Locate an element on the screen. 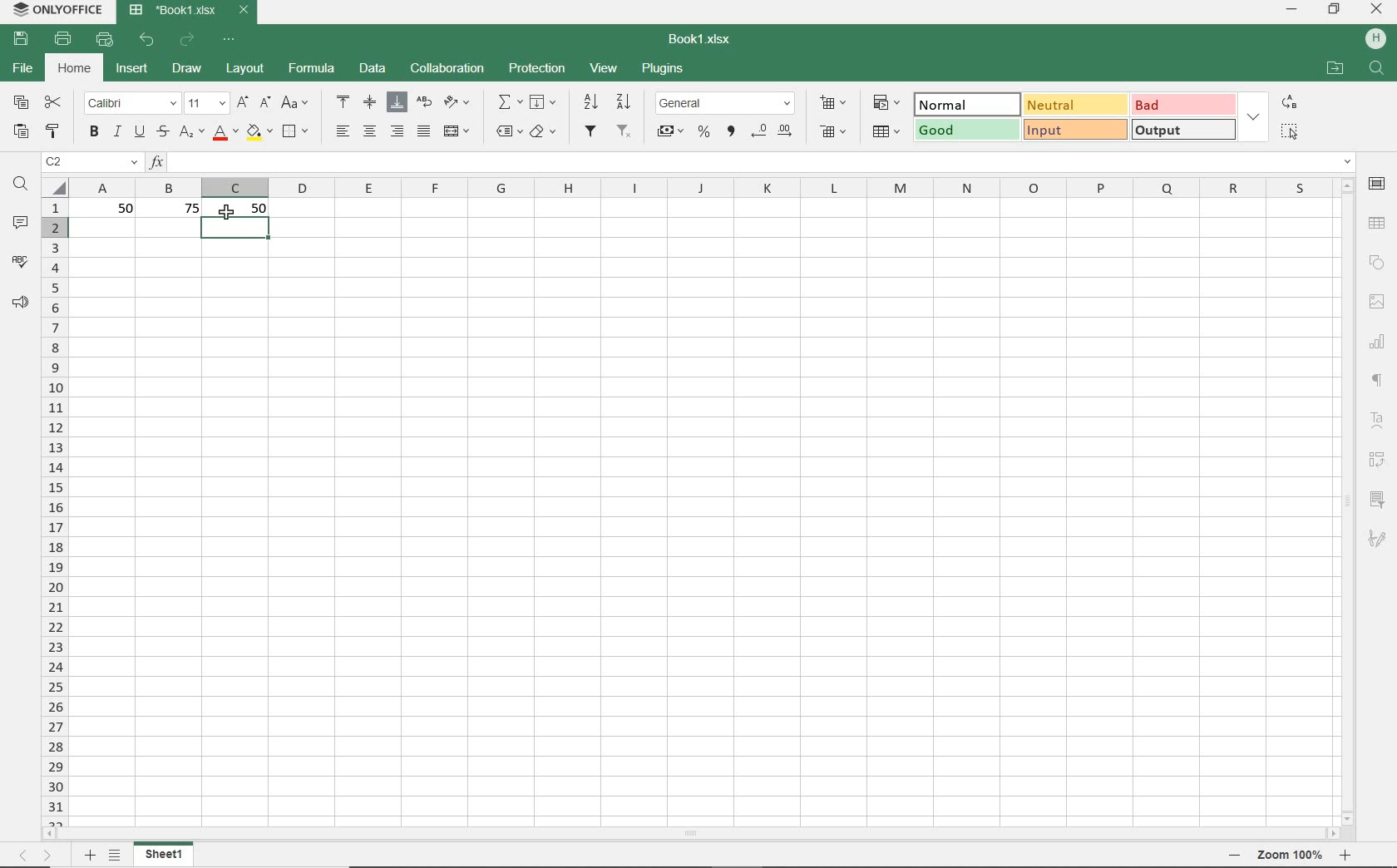 The height and width of the screenshot is (868, 1397). replace is located at coordinates (1290, 104).